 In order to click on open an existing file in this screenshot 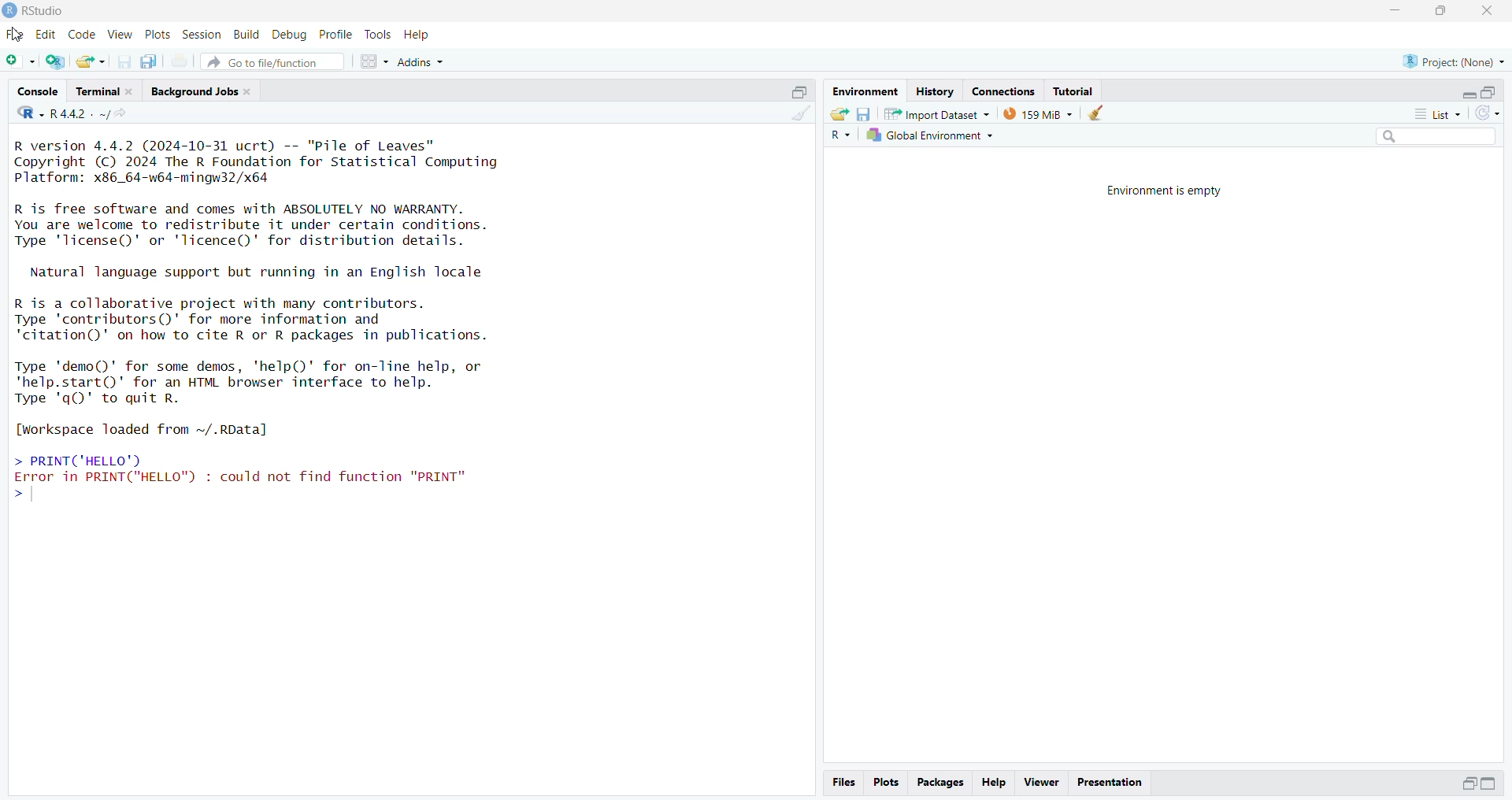, I will do `click(91, 61)`.